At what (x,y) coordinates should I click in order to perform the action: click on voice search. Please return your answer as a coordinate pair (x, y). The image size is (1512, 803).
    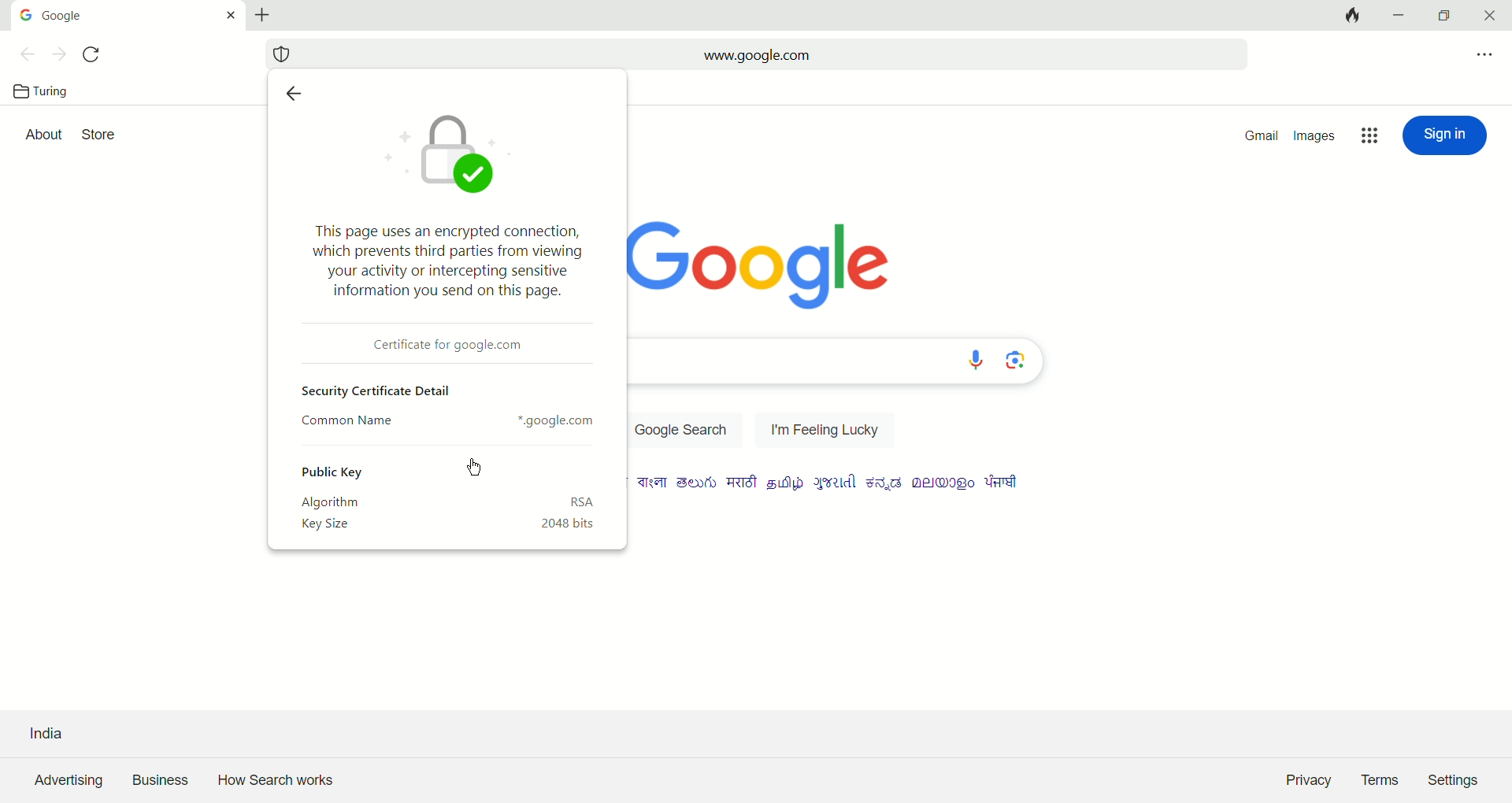
    Looking at the image, I should click on (976, 361).